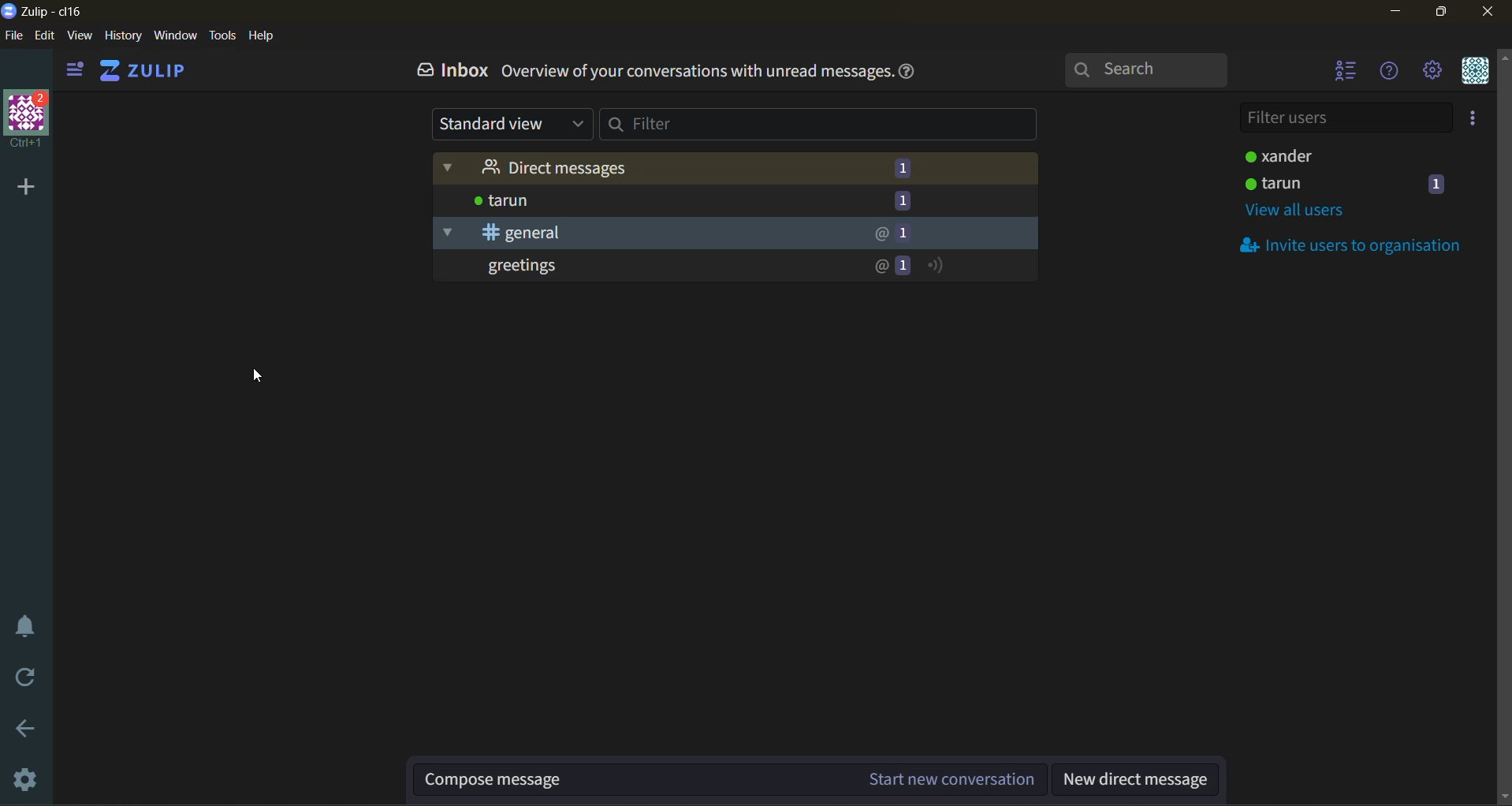 Image resolution: width=1512 pixels, height=806 pixels. I want to click on add a new organisation, so click(23, 186).